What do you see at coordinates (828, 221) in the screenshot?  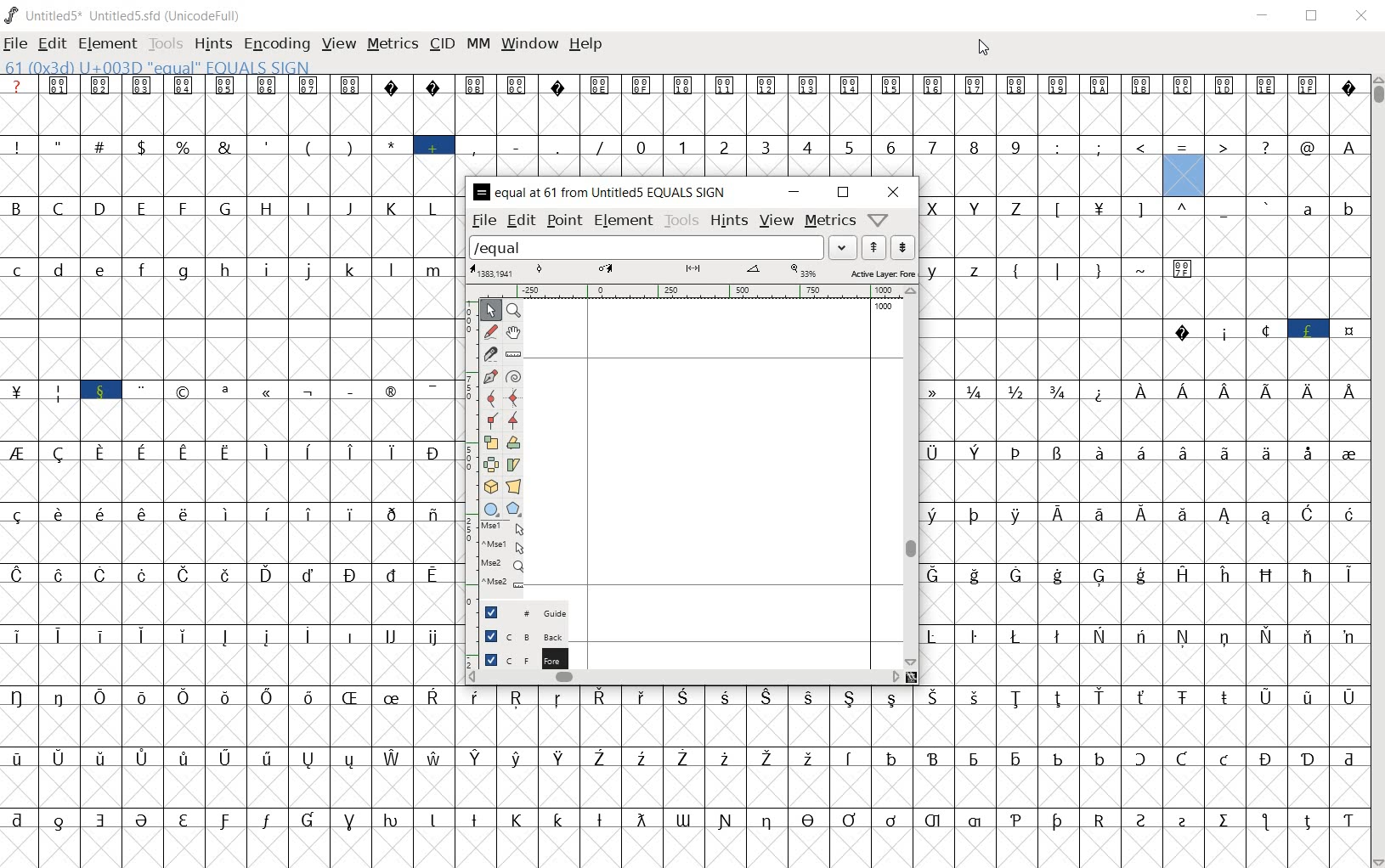 I see `metrics` at bounding box center [828, 221].